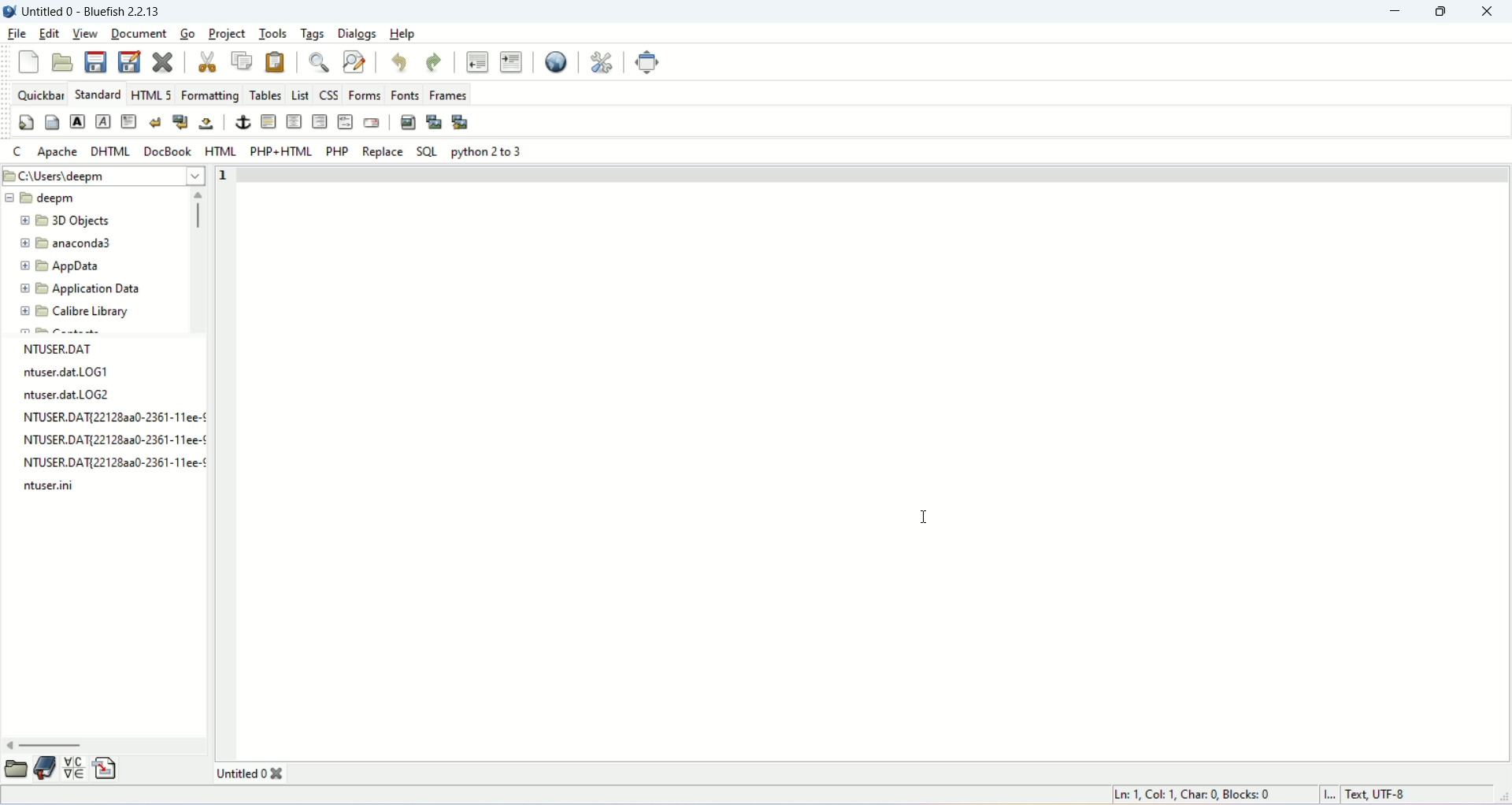 This screenshot has height=805, width=1512. Describe the element at coordinates (127, 122) in the screenshot. I see `paragraph` at that location.